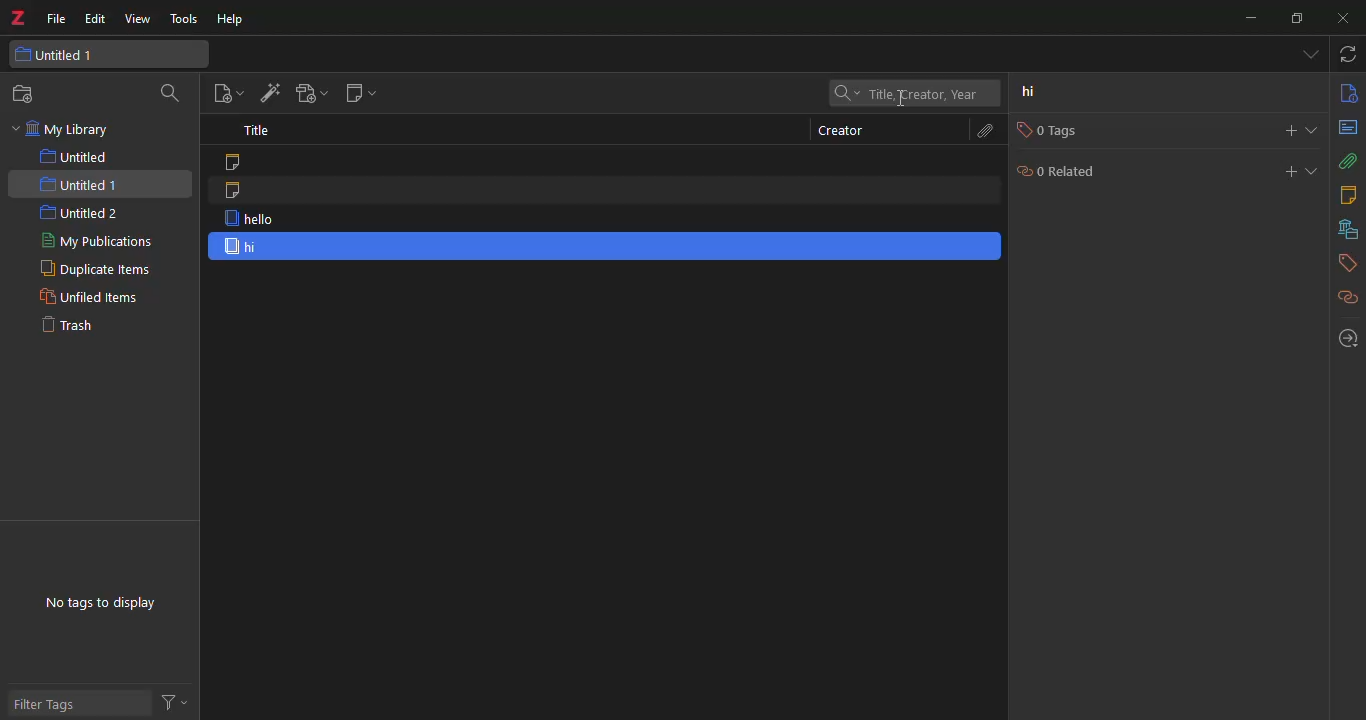 The height and width of the screenshot is (720, 1366). Describe the element at coordinates (1315, 130) in the screenshot. I see `expand` at that location.